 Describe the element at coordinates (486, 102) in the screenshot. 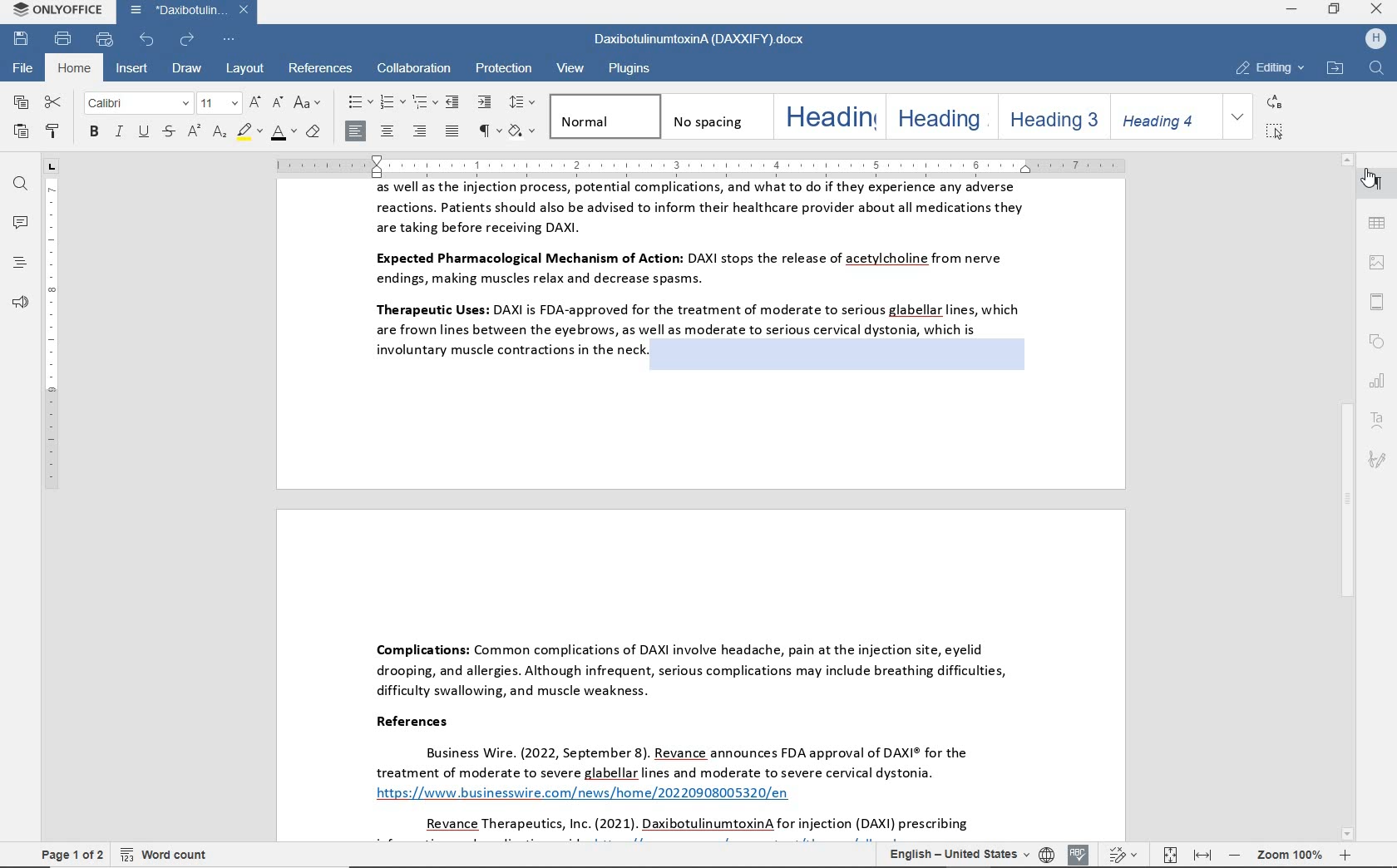

I see `increase indent` at that location.